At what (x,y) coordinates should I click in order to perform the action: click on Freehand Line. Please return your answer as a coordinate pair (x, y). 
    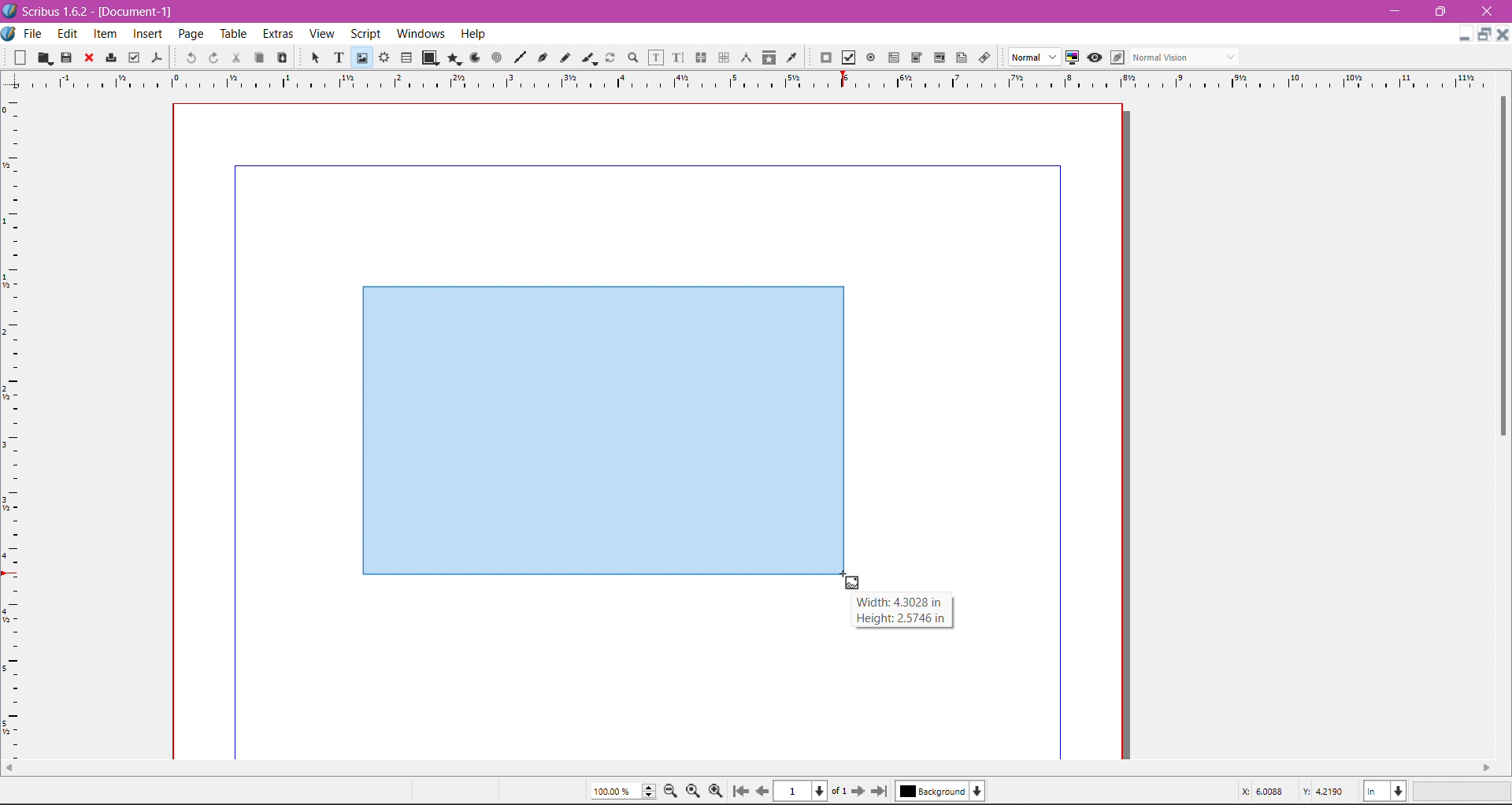
    Looking at the image, I should click on (565, 57).